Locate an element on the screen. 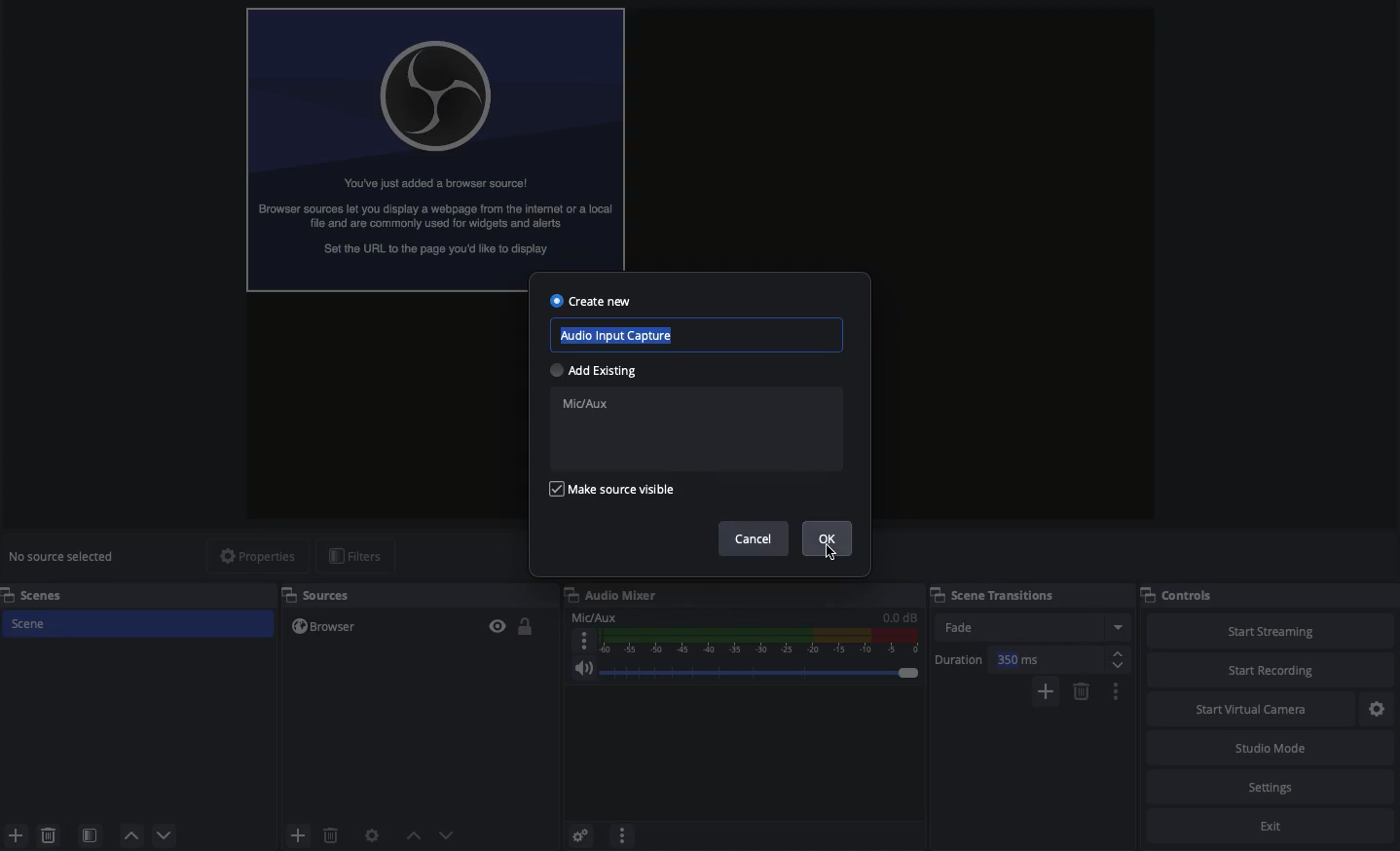 The height and width of the screenshot is (851, 1400). Add is located at coordinates (16, 835).